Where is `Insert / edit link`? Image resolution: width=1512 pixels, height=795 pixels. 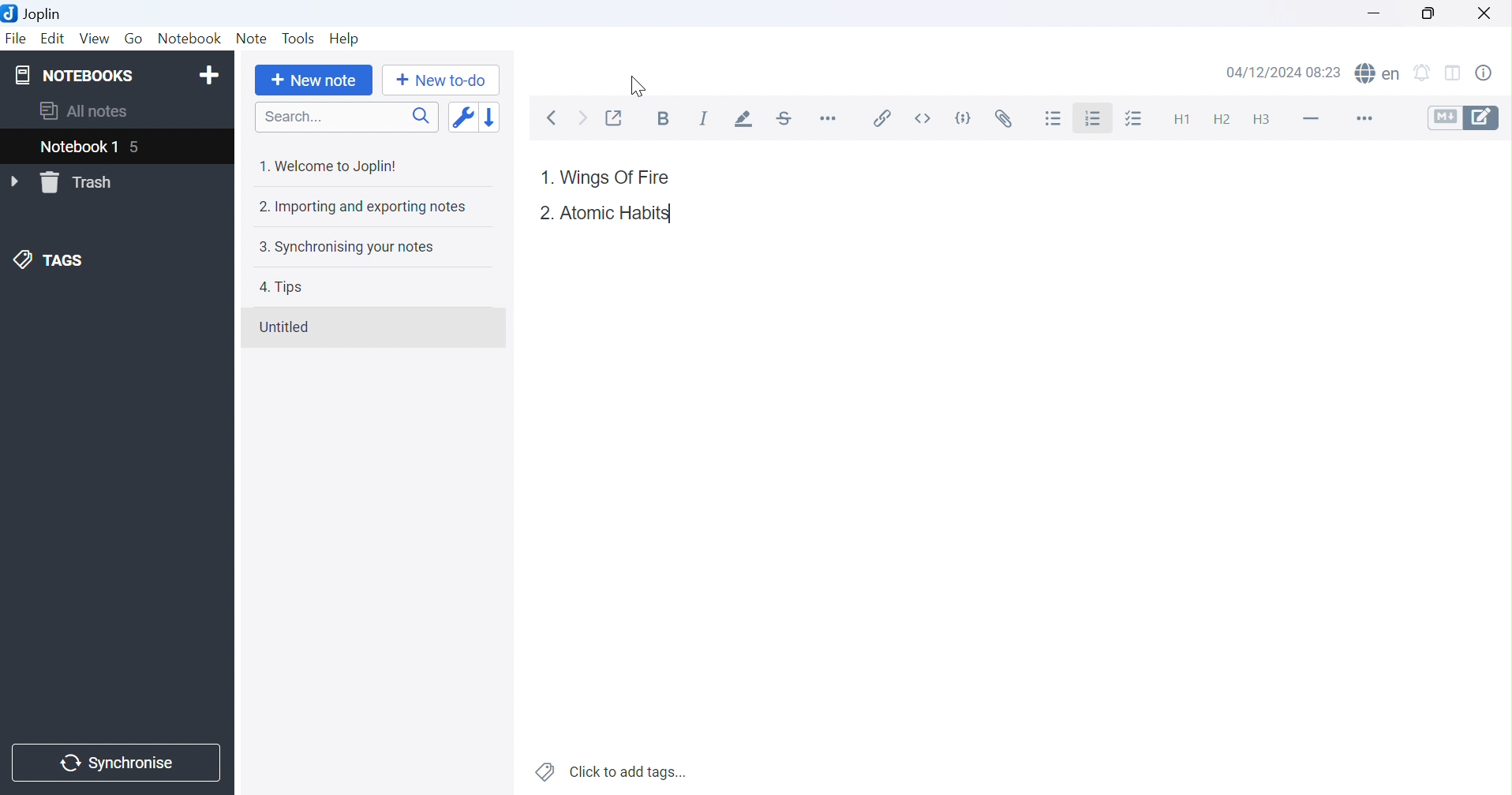
Insert / edit link is located at coordinates (881, 121).